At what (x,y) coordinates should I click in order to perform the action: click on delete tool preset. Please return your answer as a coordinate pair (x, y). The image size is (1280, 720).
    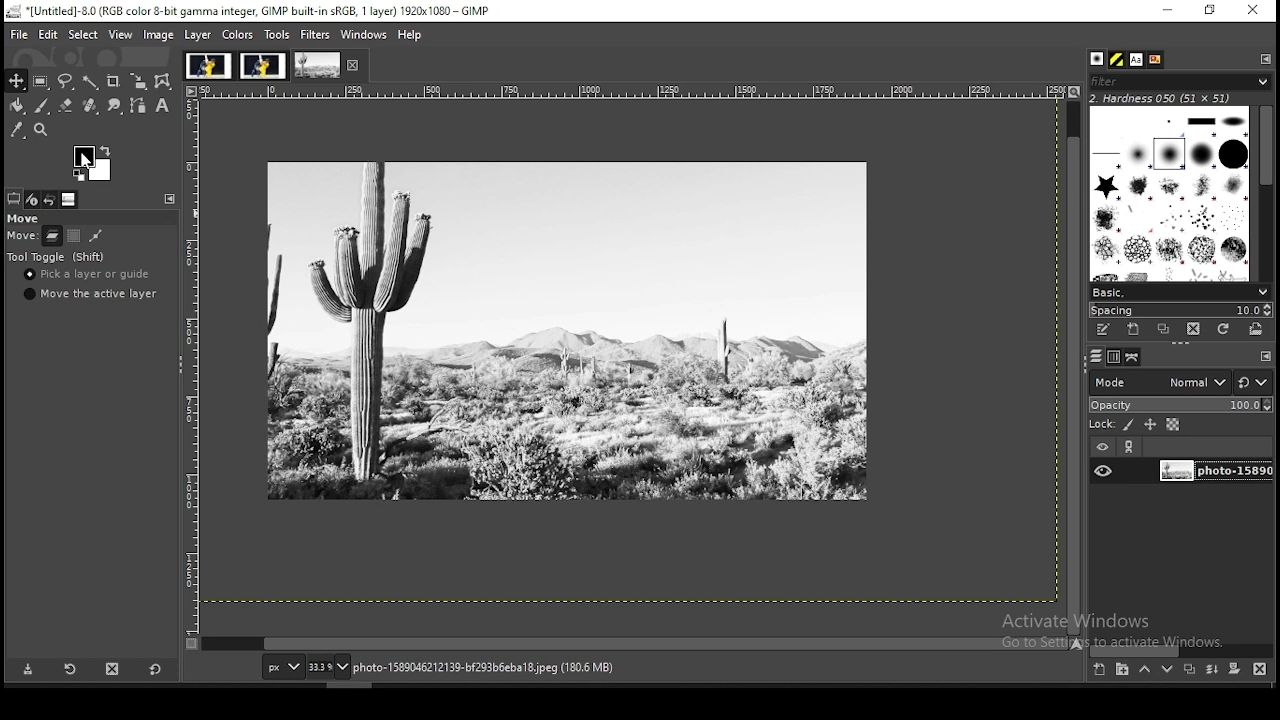
    Looking at the image, I should click on (112, 669).